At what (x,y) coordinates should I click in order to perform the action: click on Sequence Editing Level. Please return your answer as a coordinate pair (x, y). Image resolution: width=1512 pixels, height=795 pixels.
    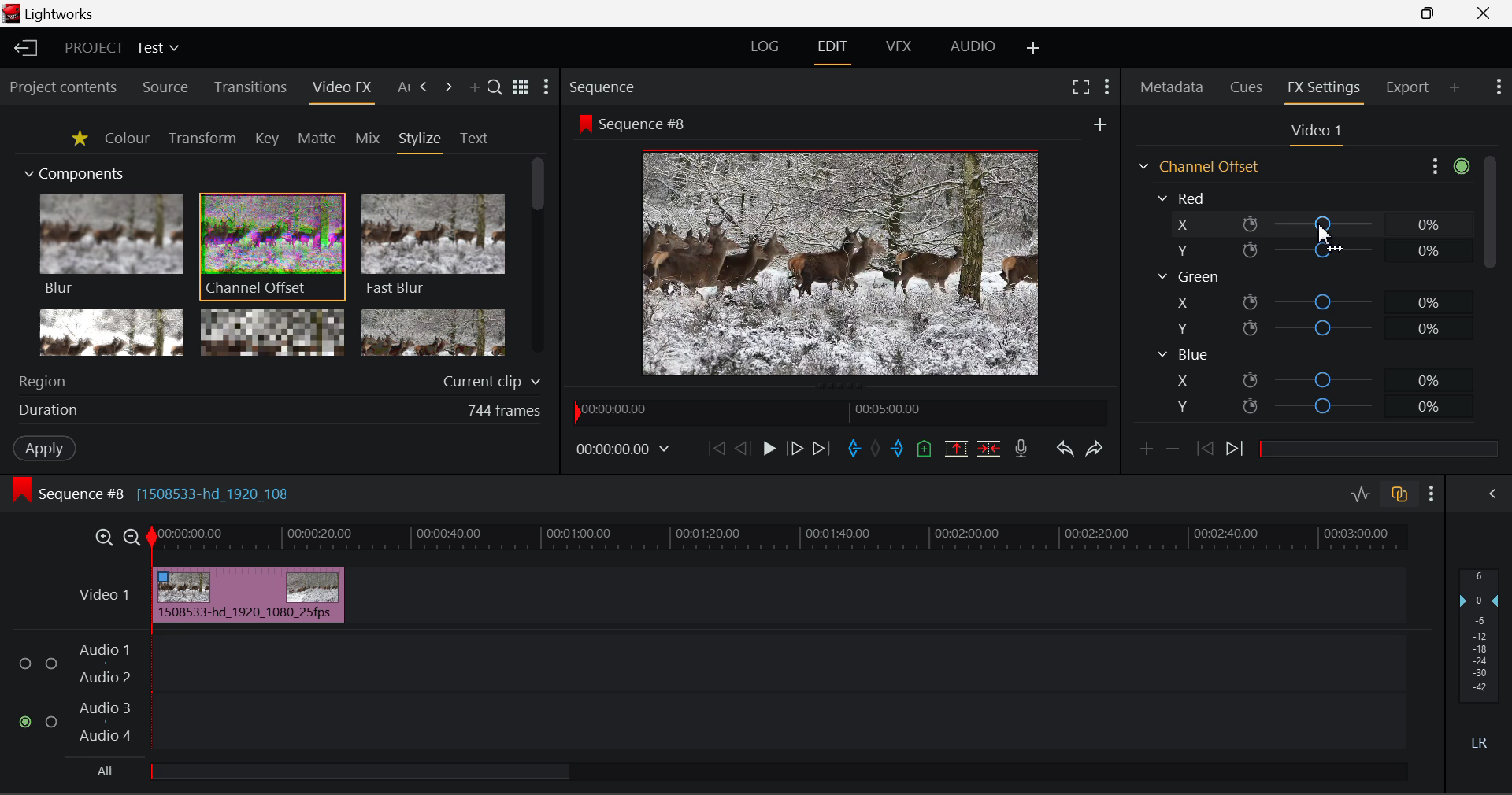
    Looking at the image, I should click on (65, 496).